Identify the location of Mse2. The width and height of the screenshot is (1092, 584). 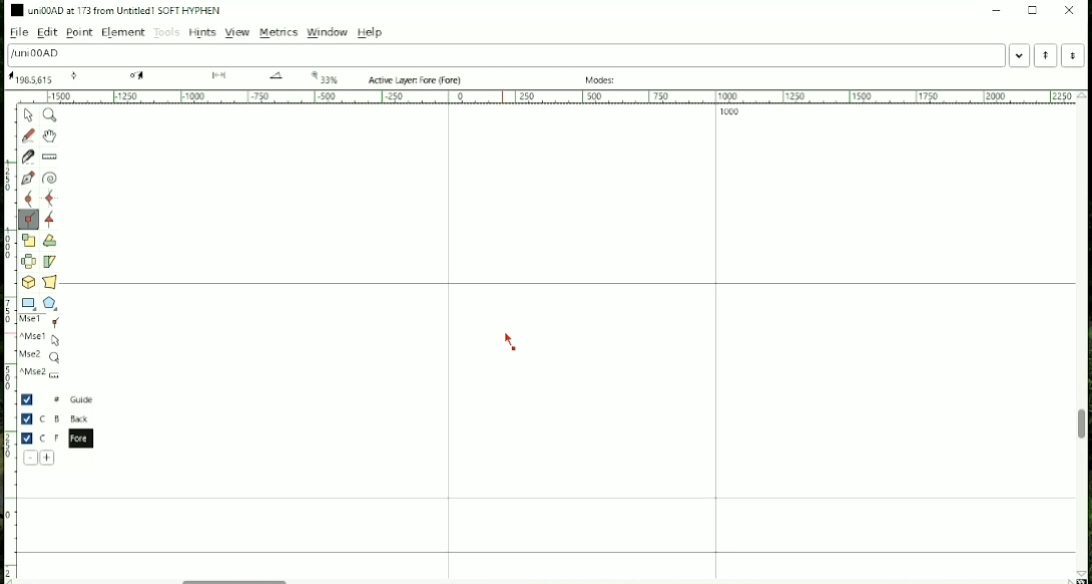
(41, 357).